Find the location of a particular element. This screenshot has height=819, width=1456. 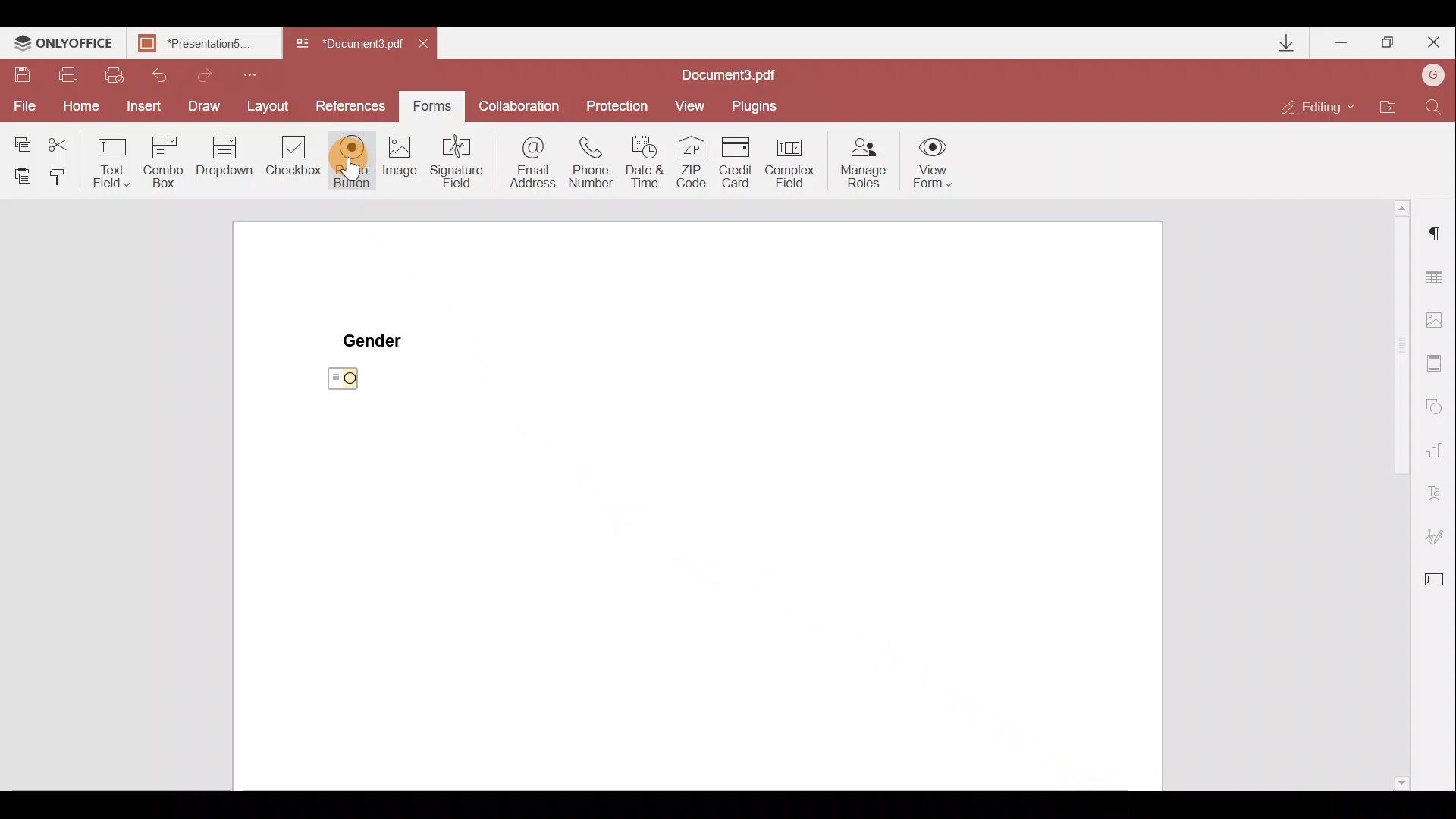

Combo box is located at coordinates (160, 160).